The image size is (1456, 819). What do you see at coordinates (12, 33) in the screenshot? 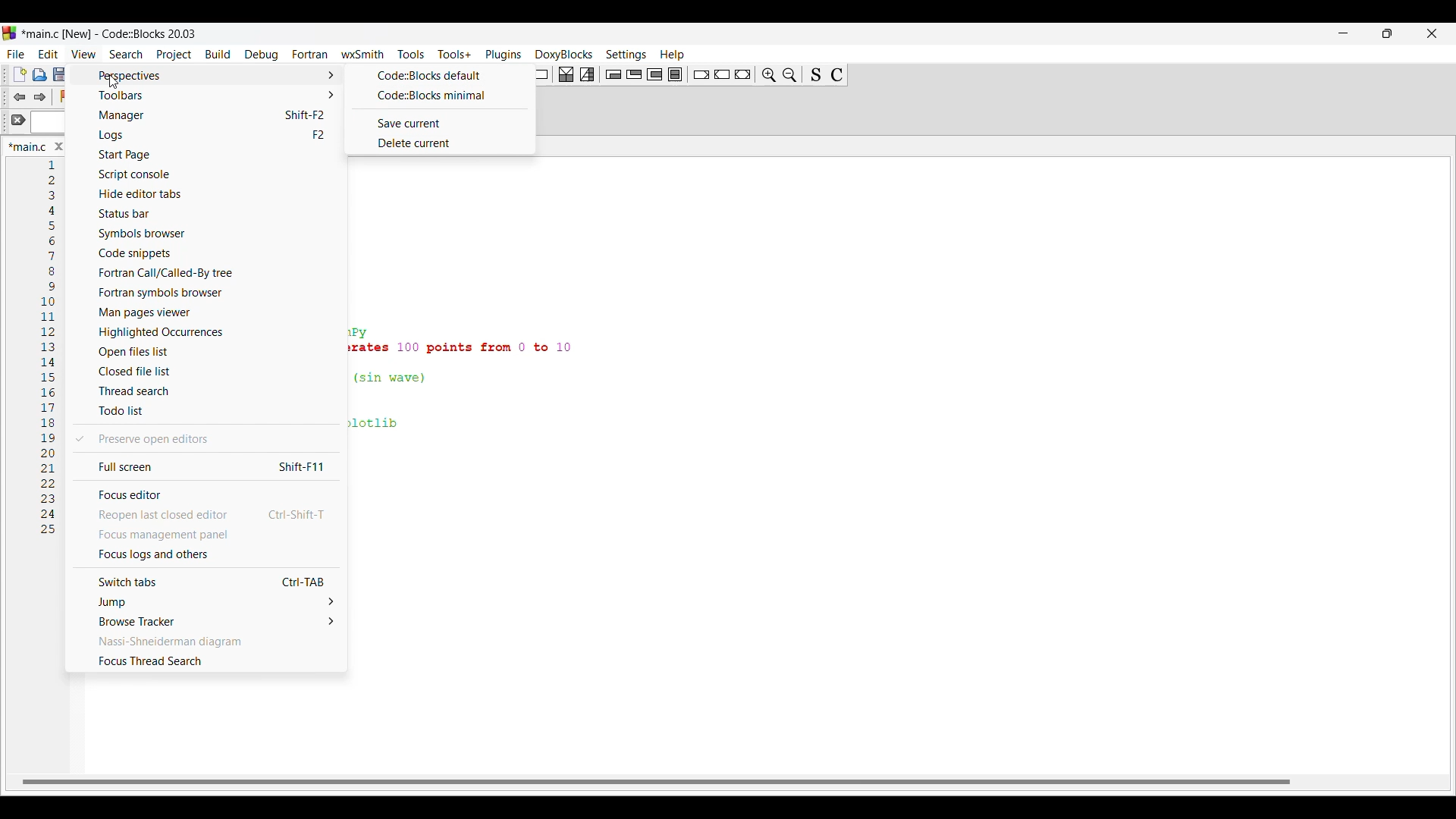
I see `codeblock logo` at bounding box center [12, 33].